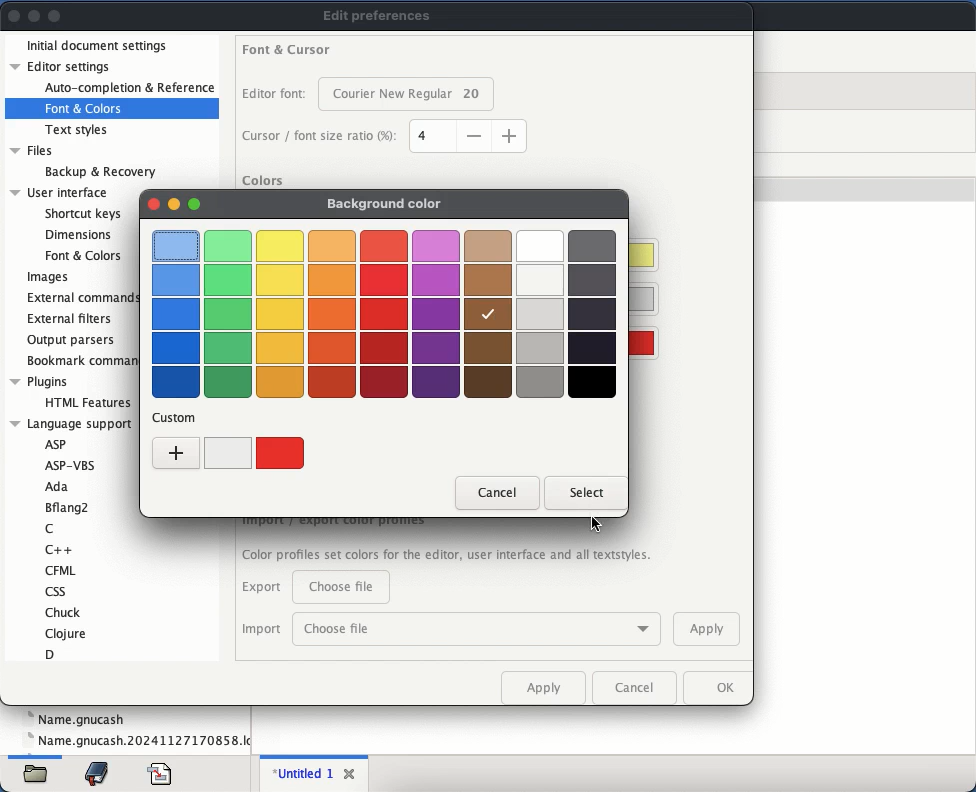  I want to click on apply, so click(707, 630).